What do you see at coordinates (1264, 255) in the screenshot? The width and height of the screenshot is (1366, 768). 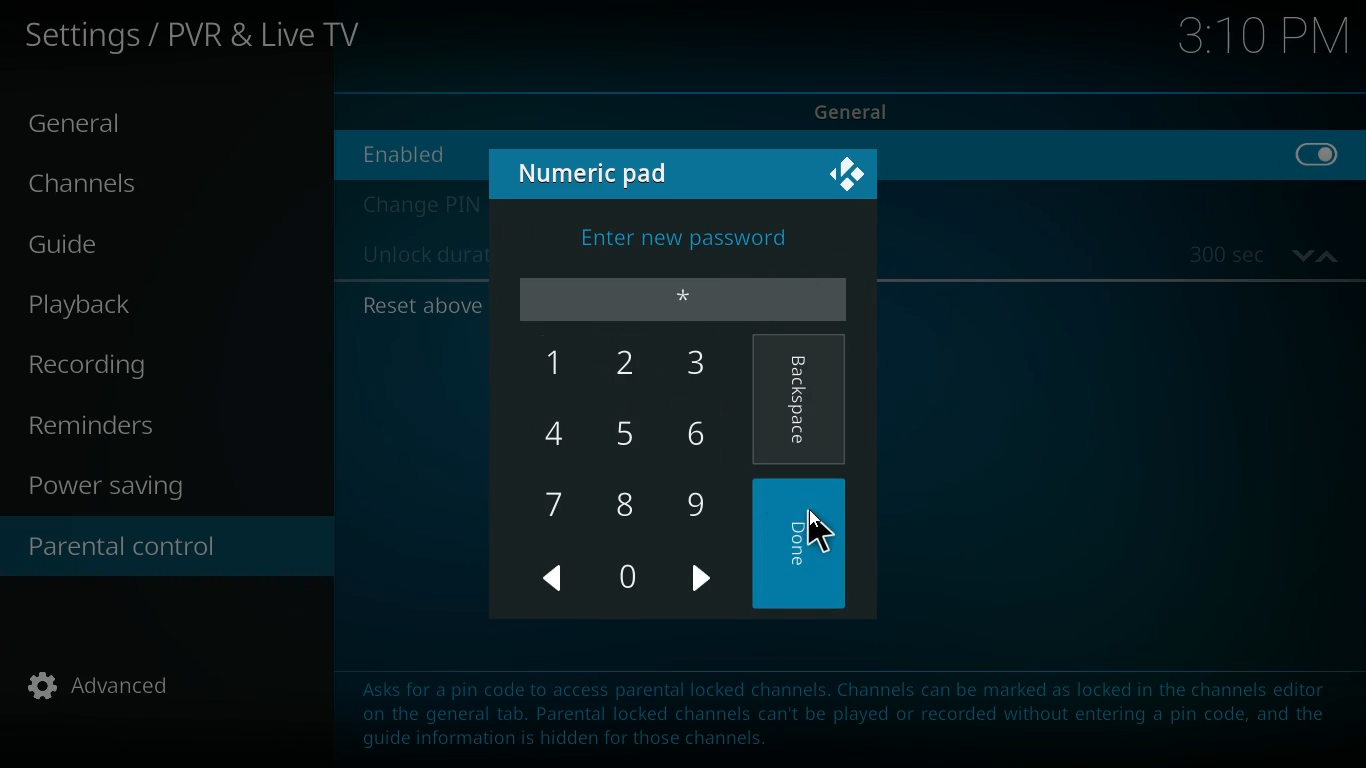 I see `time` at bounding box center [1264, 255].